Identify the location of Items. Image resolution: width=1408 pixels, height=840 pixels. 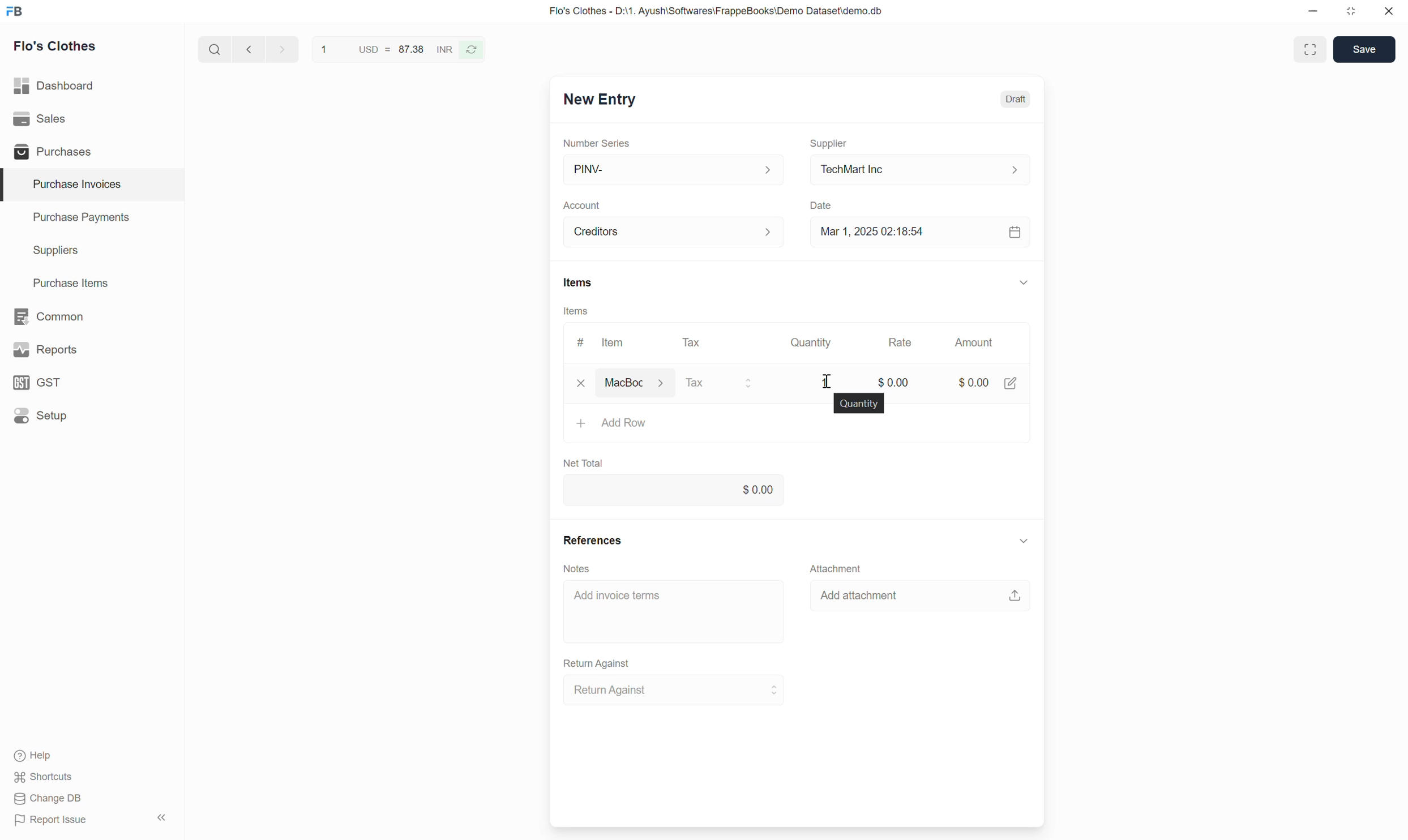
(579, 282).